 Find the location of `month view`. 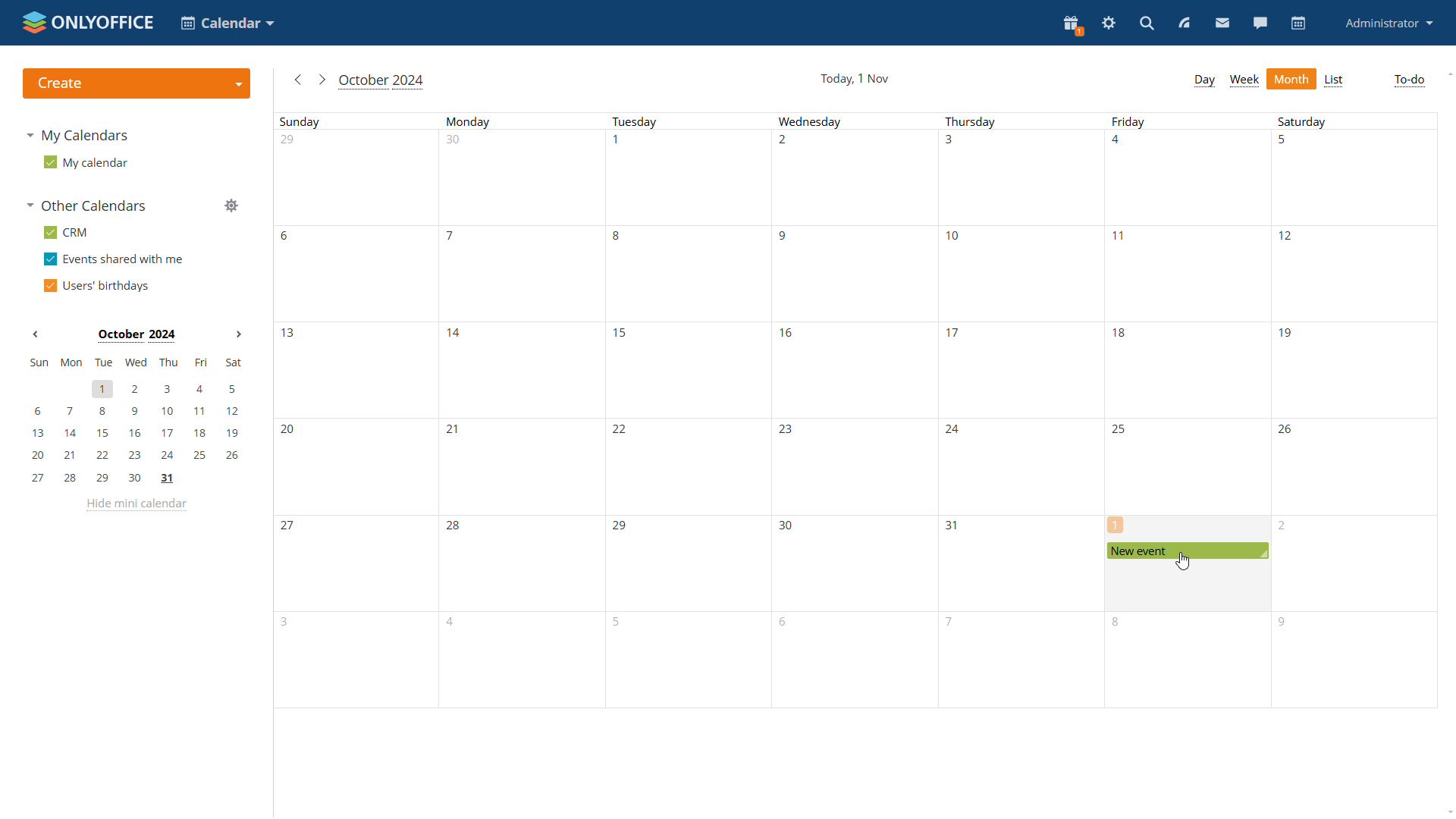

month view is located at coordinates (1292, 78).